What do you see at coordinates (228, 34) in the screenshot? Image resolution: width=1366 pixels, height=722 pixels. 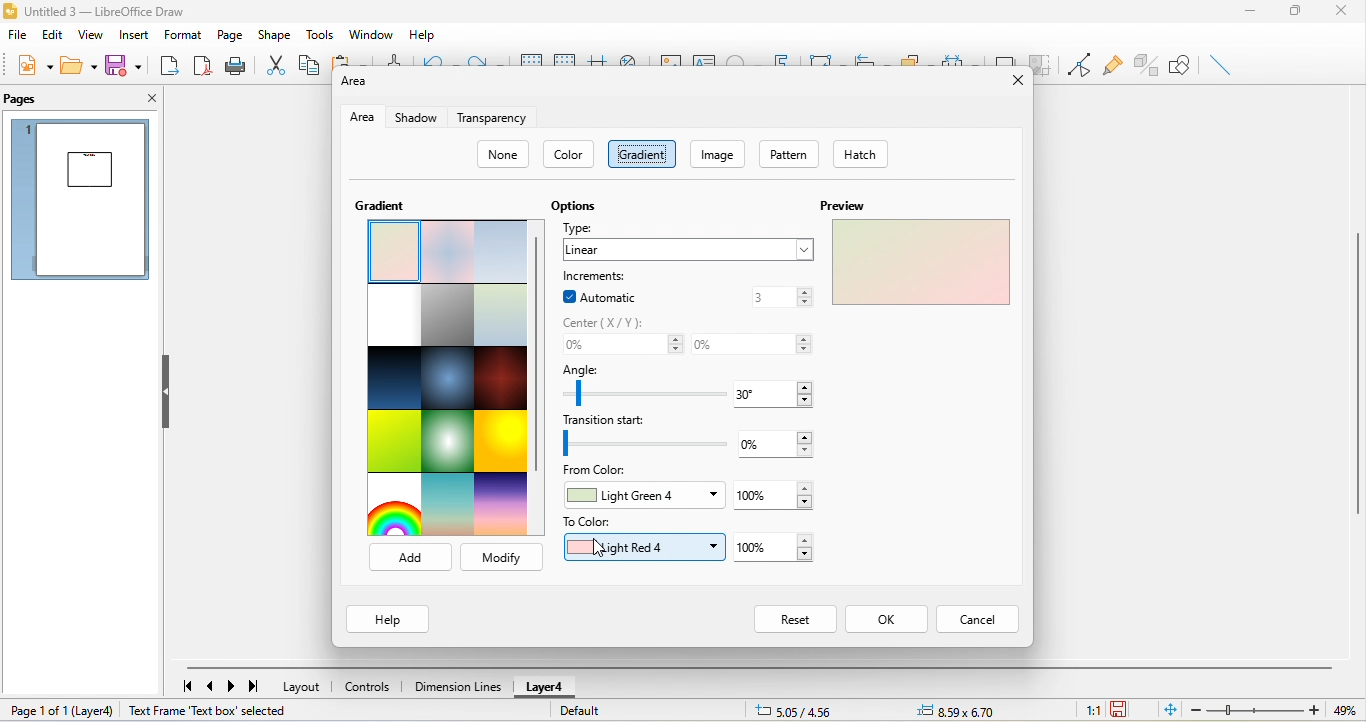 I see `page` at bounding box center [228, 34].